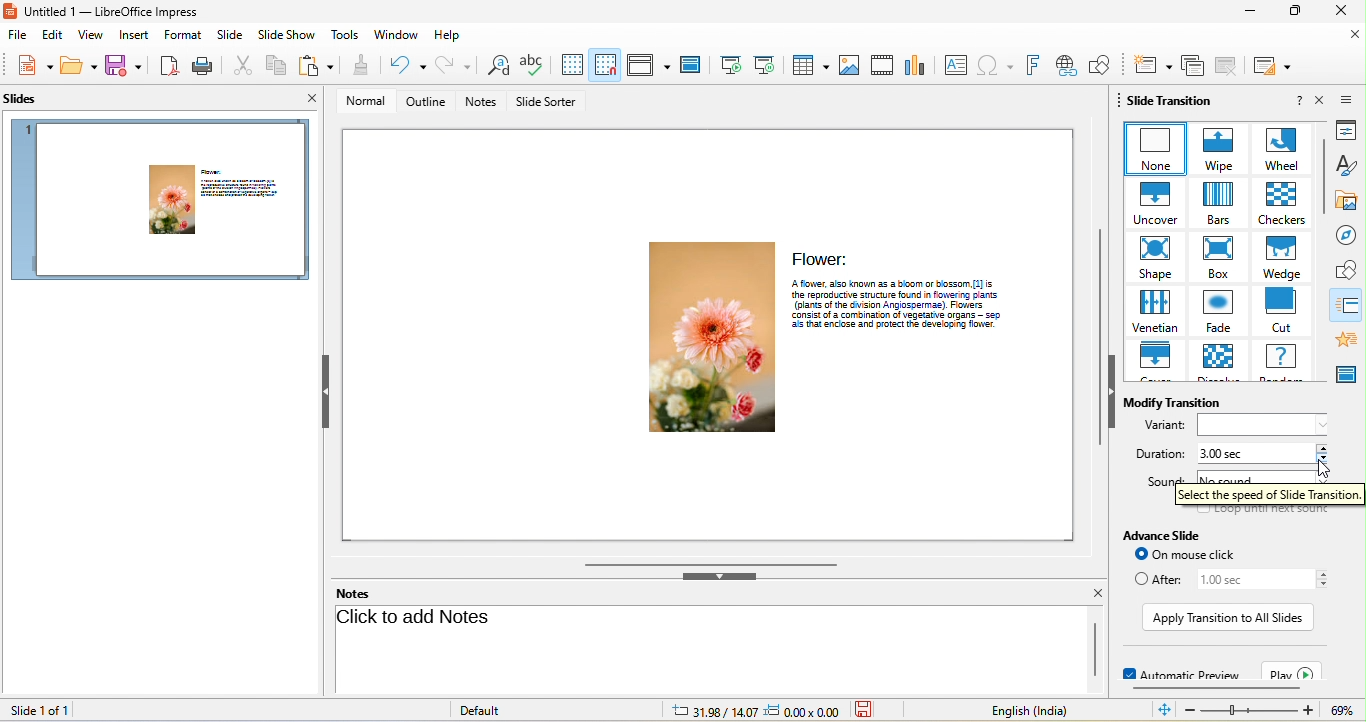 Image resolution: width=1366 pixels, height=722 pixels. I want to click on slideshow, so click(286, 35).